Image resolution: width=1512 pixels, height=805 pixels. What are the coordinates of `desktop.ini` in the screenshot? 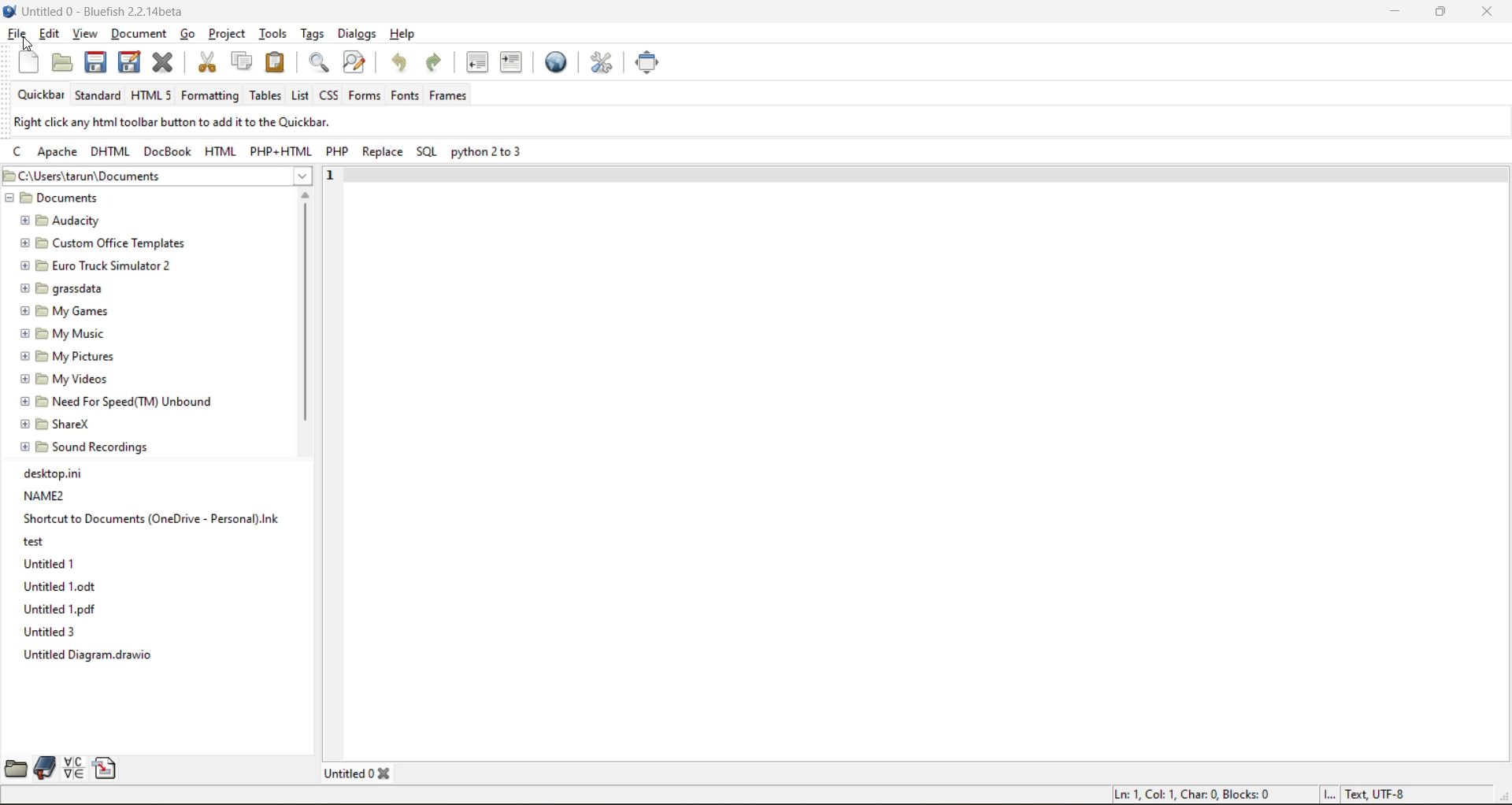 It's located at (57, 472).